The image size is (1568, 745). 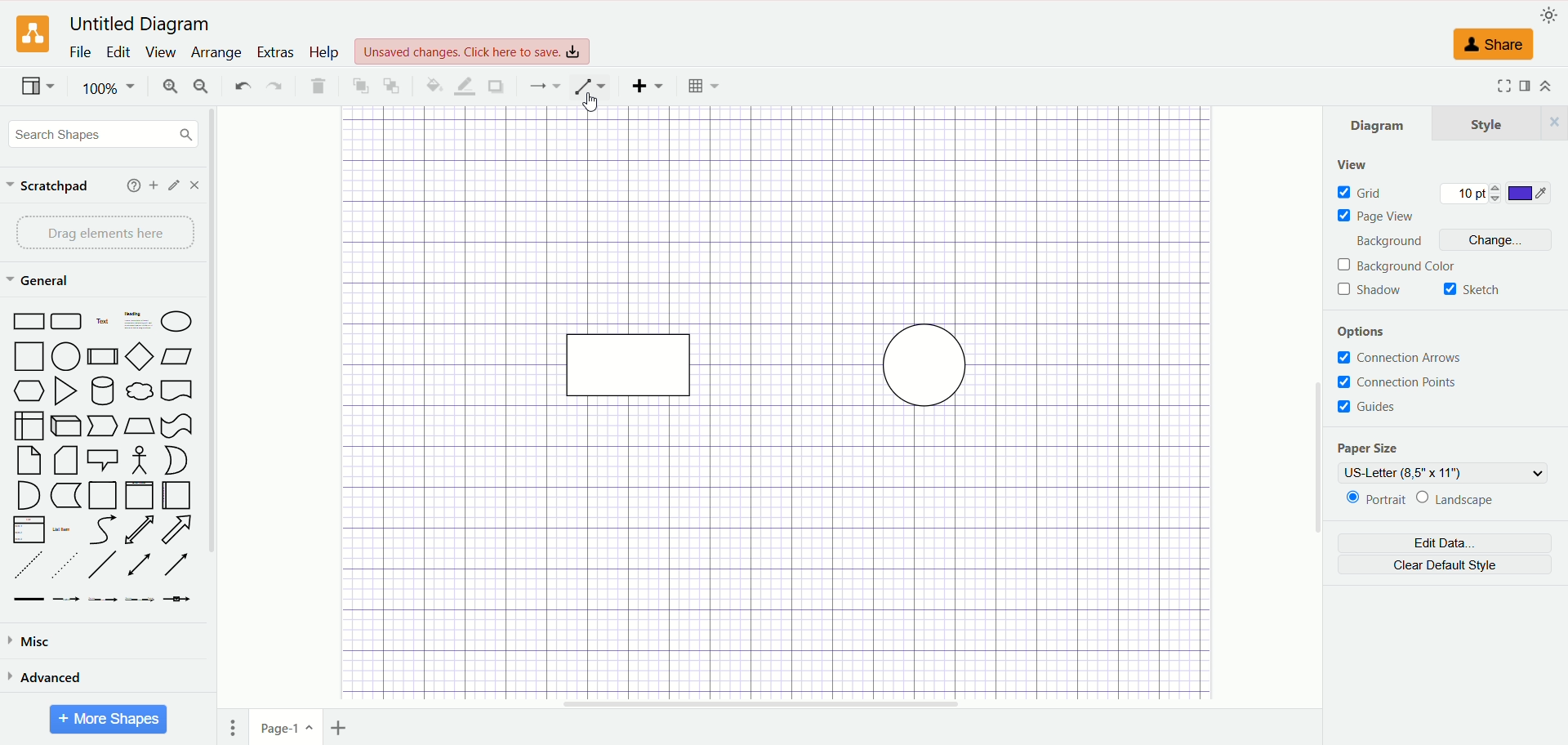 I want to click on Page, so click(x=29, y=460).